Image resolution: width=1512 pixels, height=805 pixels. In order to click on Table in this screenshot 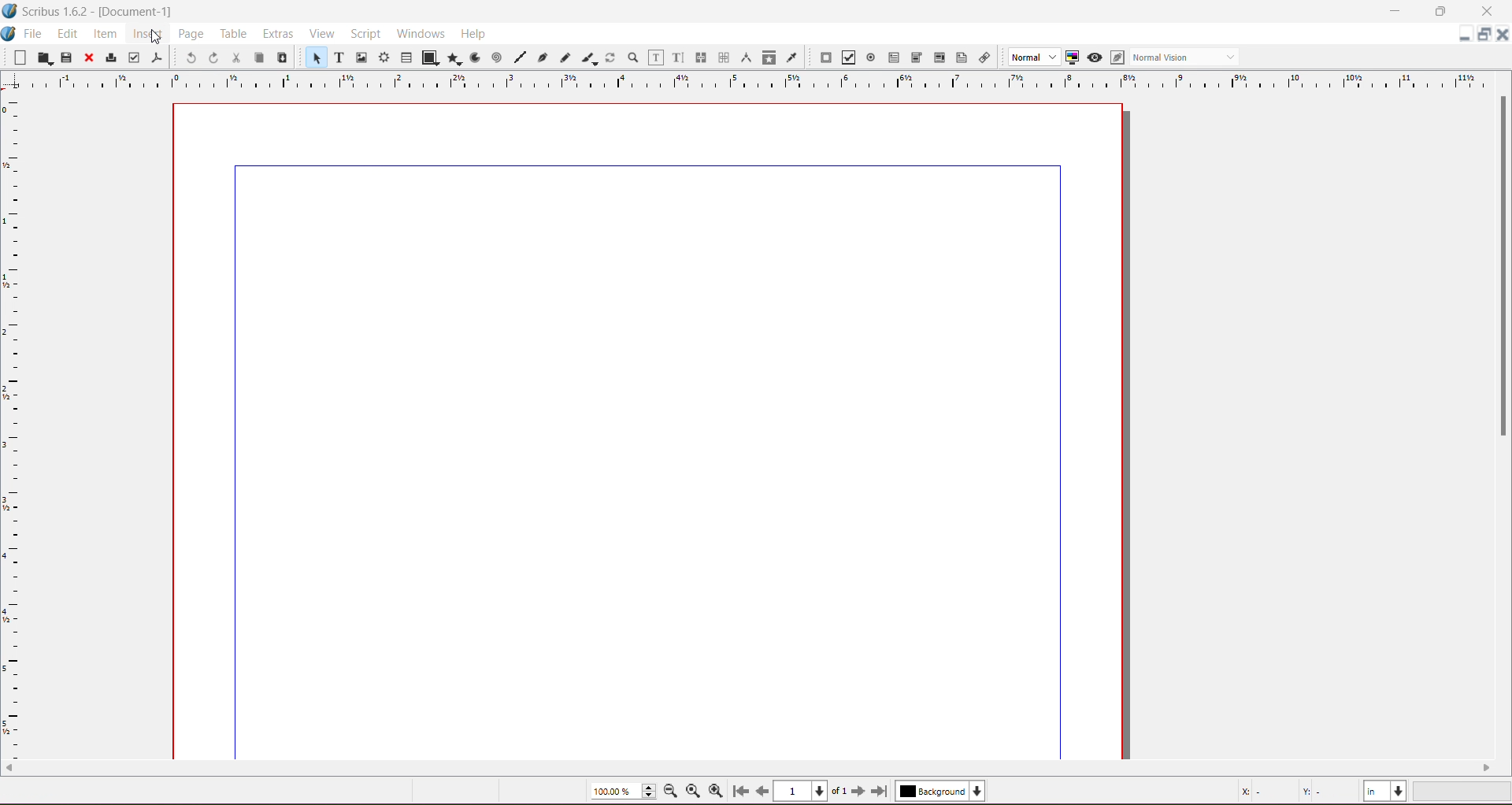, I will do `click(235, 35)`.